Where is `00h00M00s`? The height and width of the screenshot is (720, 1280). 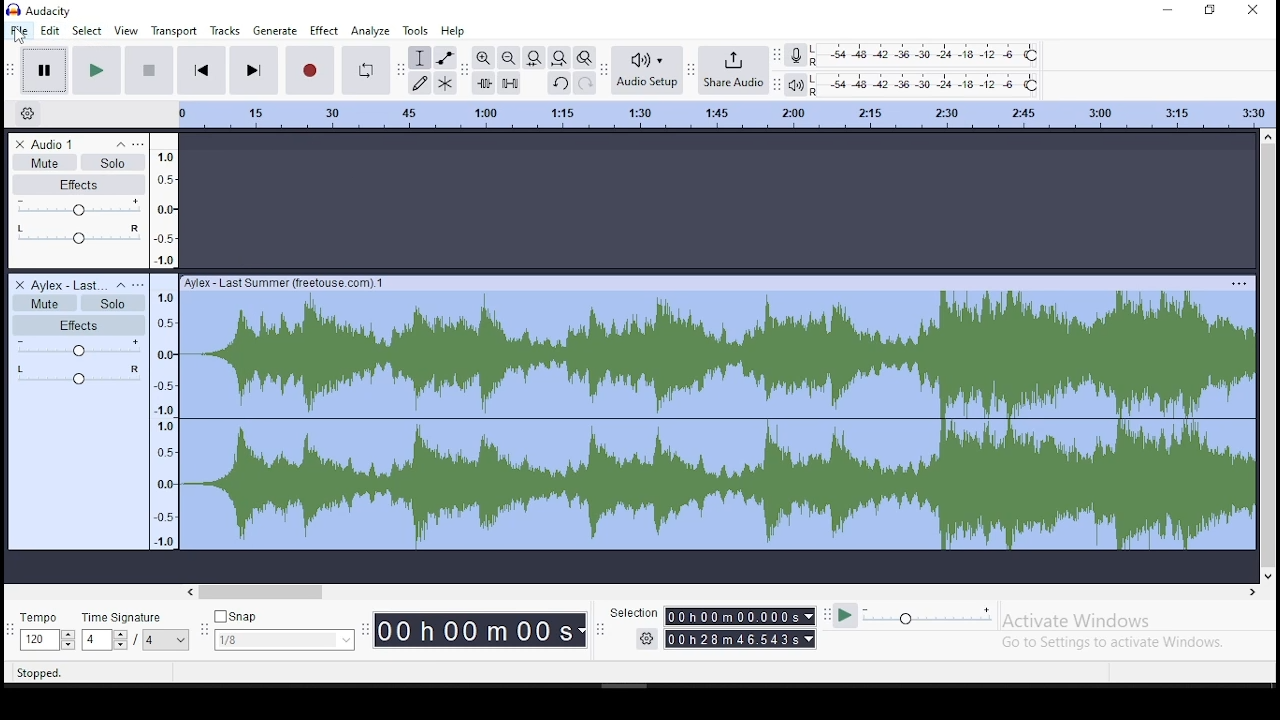
00h00M00s is located at coordinates (480, 632).